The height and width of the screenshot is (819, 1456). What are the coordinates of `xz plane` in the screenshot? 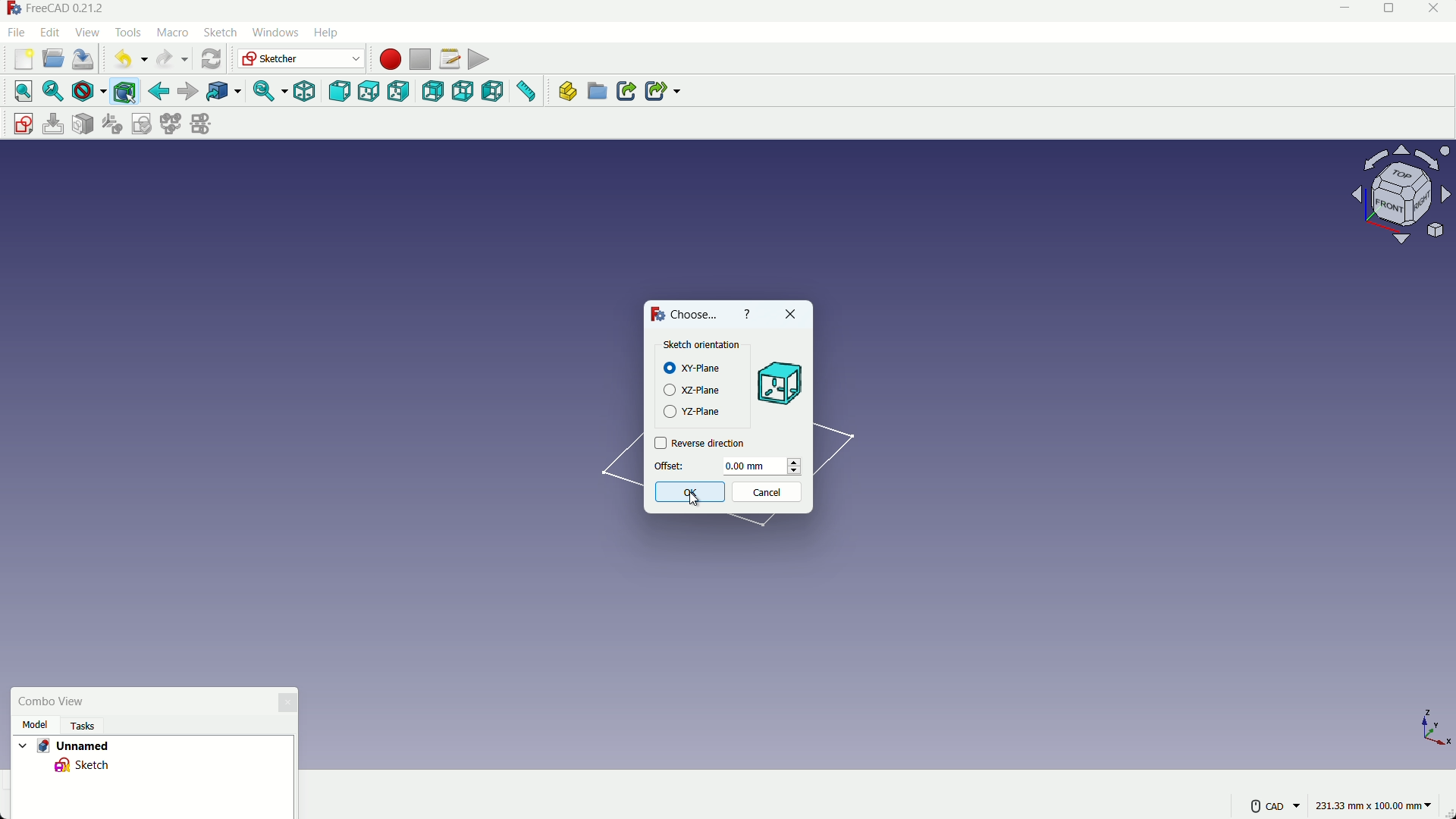 It's located at (692, 391).